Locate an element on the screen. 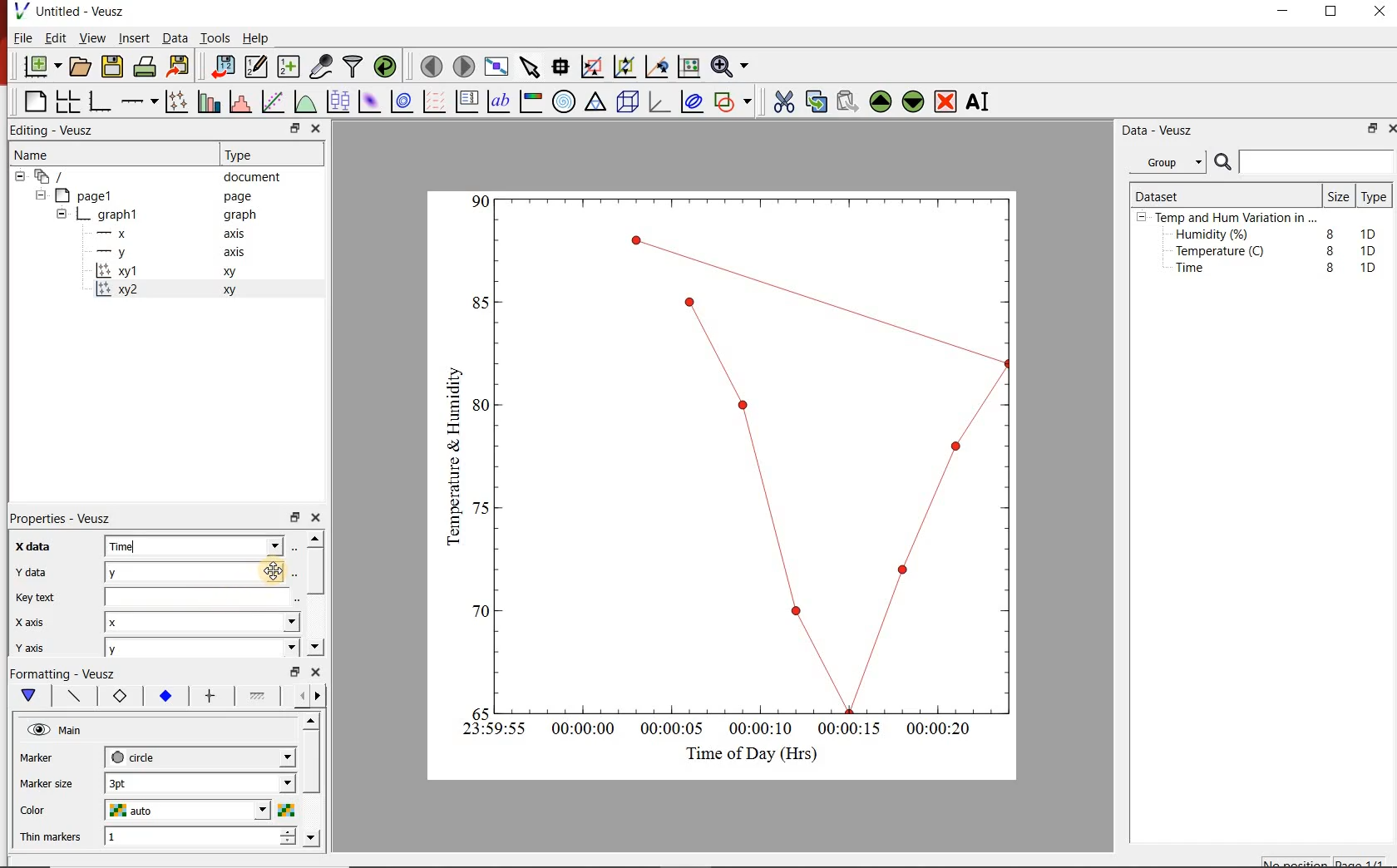  Graph is located at coordinates (758, 451).